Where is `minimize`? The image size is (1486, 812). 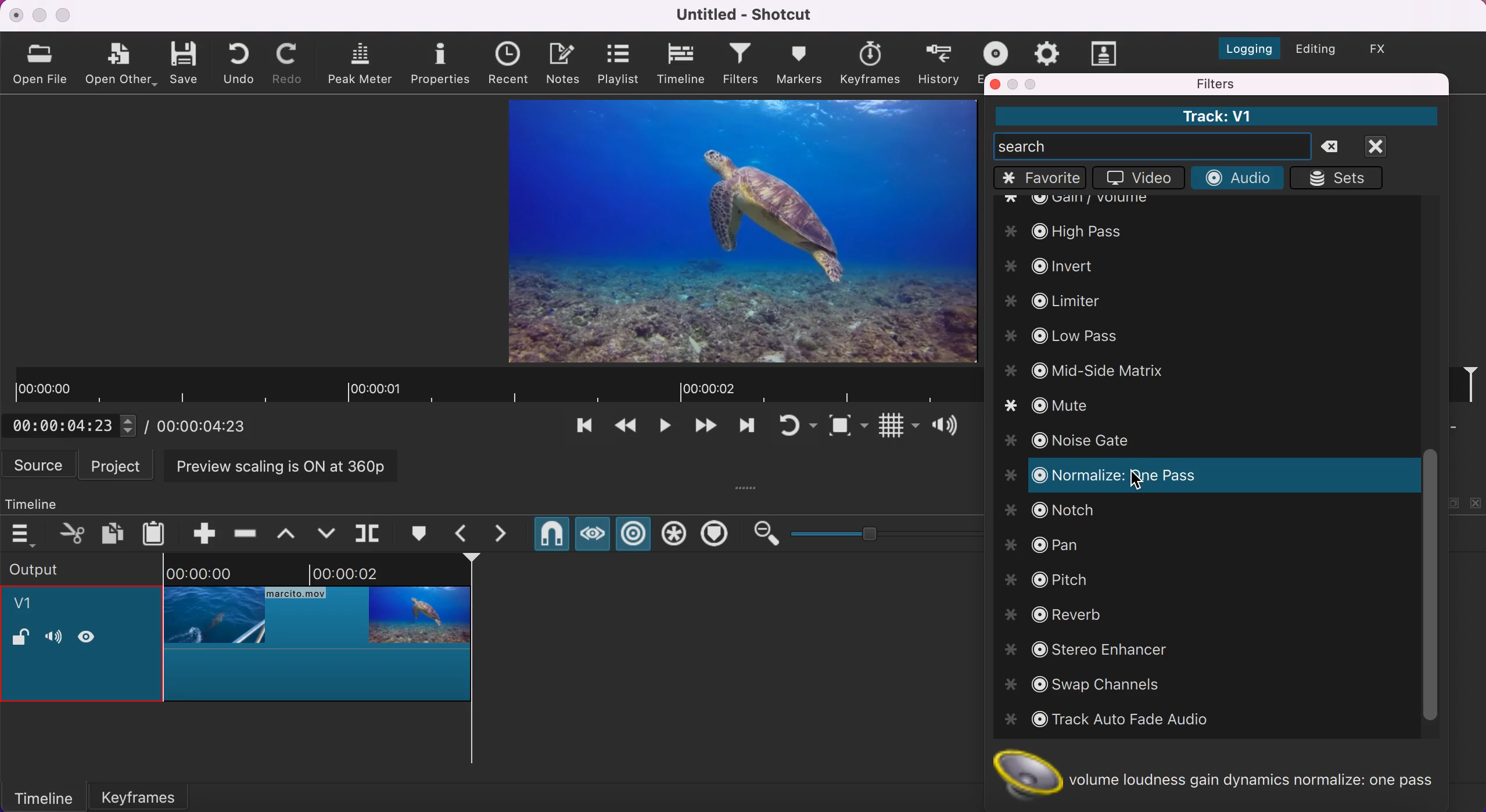
minimize is located at coordinates (39, 15).